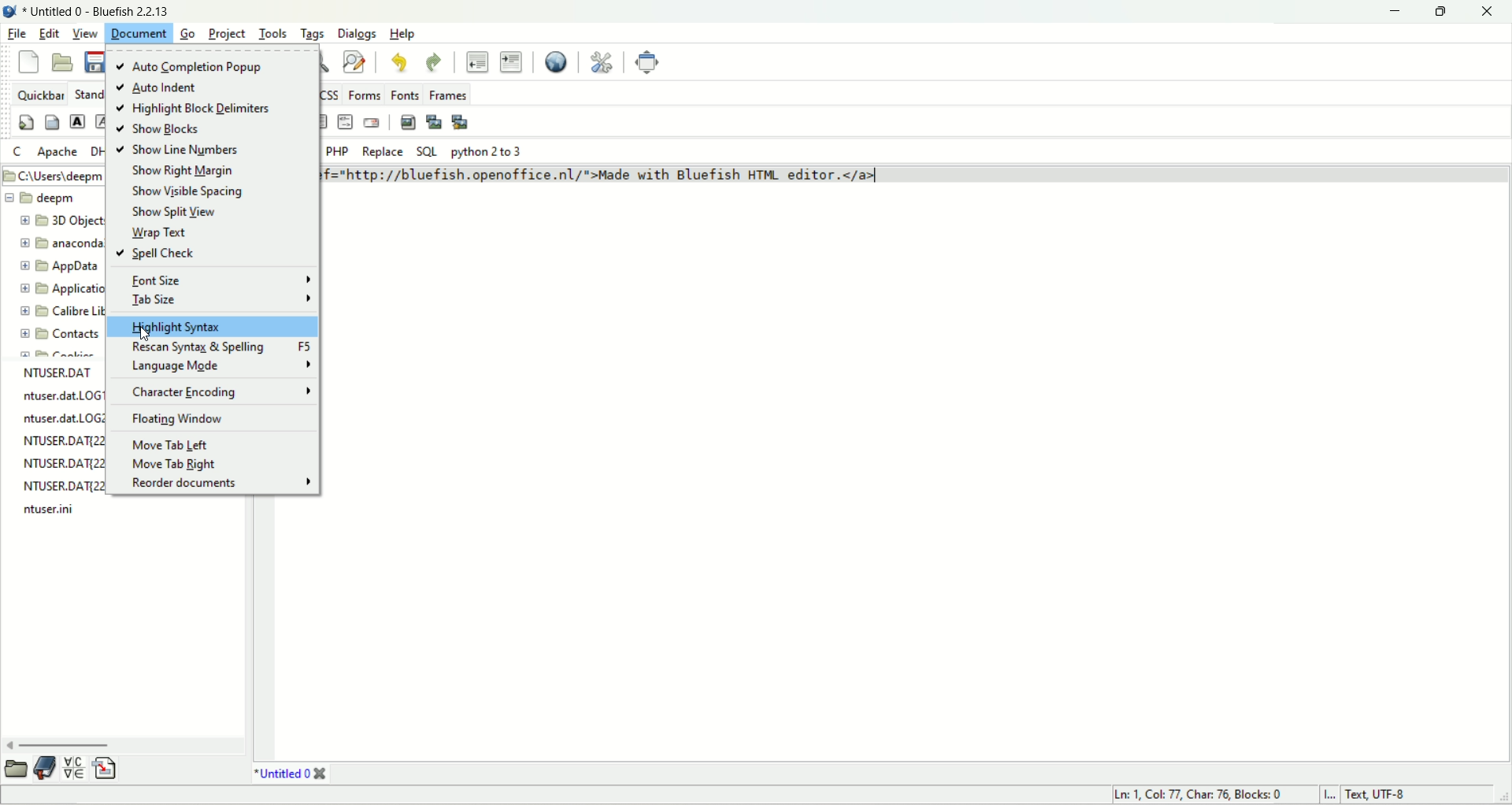 The width and height of the screenshot is (1512, 805). What do you see at coordinates (645, 62) in the screenshot?
I see `fullscreen` at bounding box center [645, 62].